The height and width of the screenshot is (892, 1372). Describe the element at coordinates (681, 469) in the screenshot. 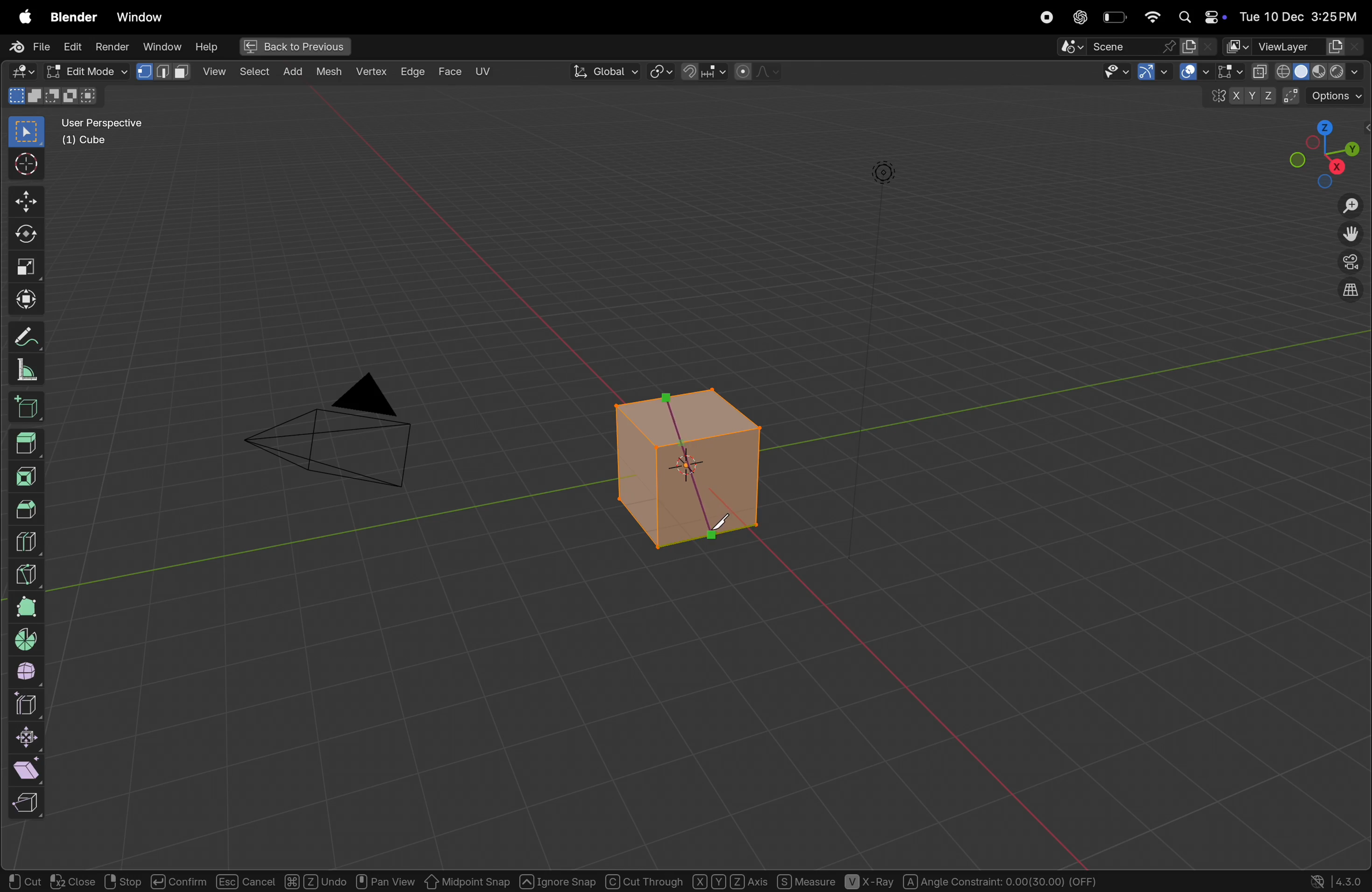

I see `3 d cube` at that location.